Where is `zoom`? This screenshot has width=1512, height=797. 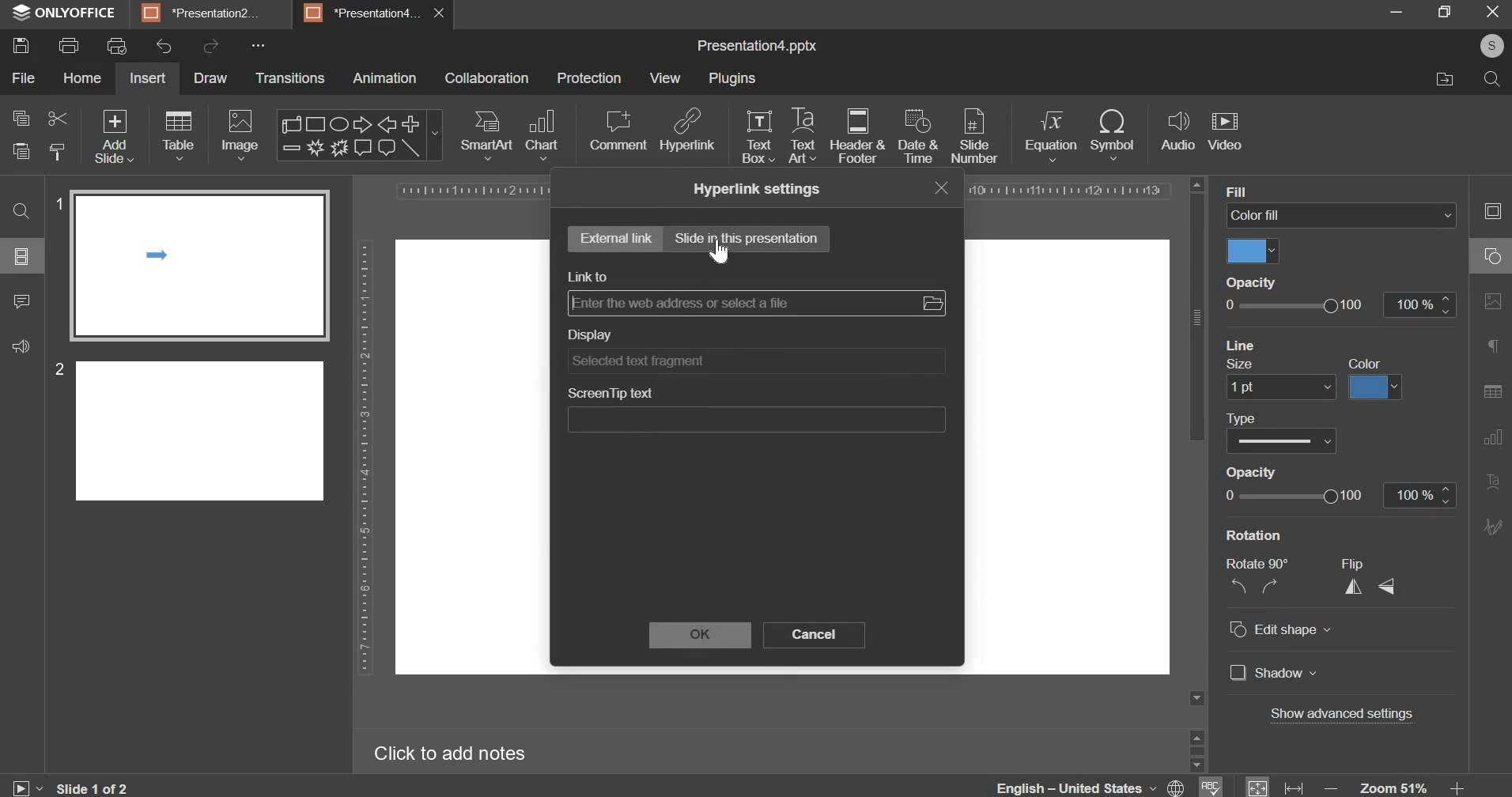
zoom is located at coordinates (1397, 784).